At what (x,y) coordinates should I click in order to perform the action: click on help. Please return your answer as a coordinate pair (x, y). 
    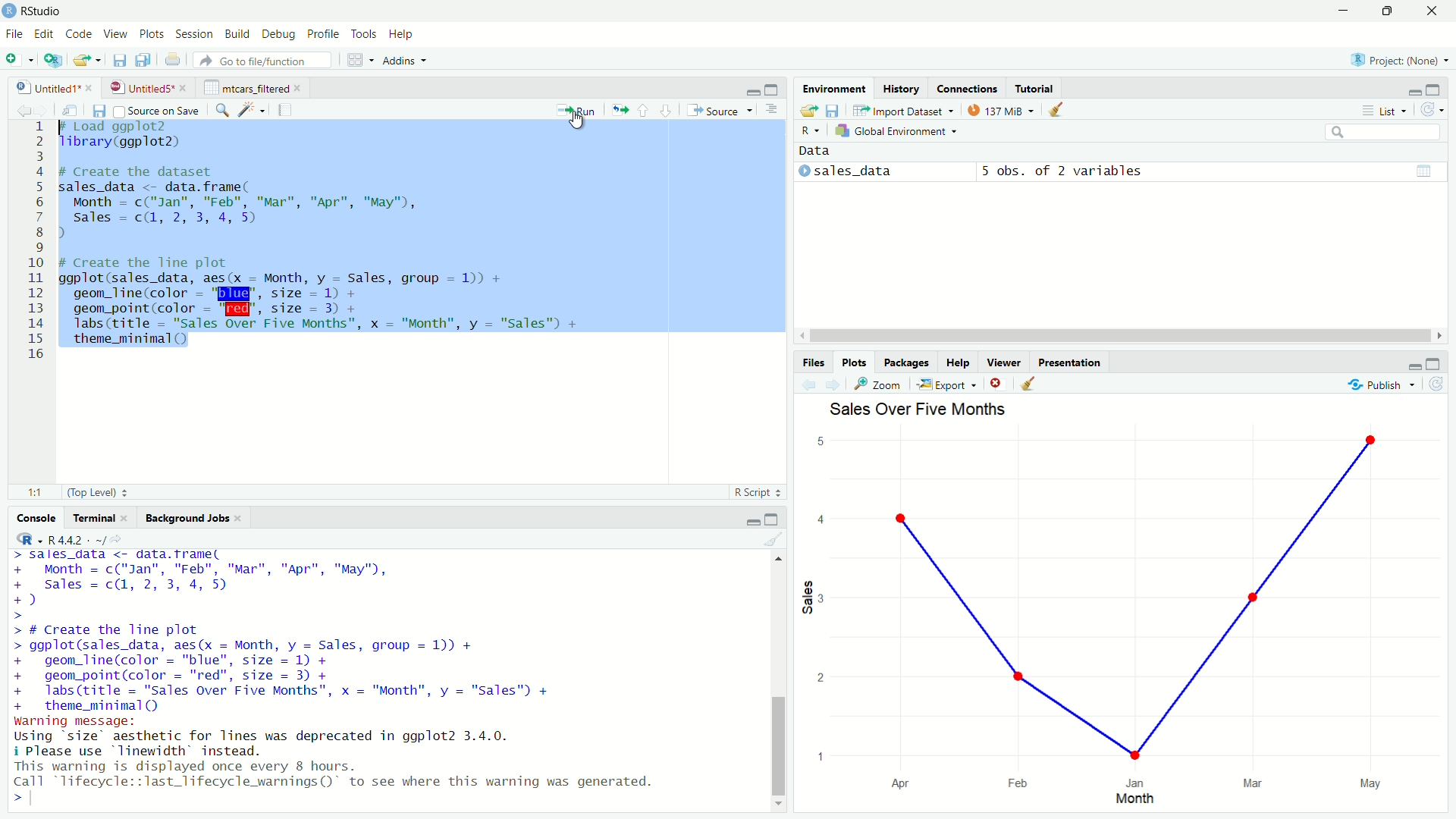
    Looking at the image, I should click on (404, 36).